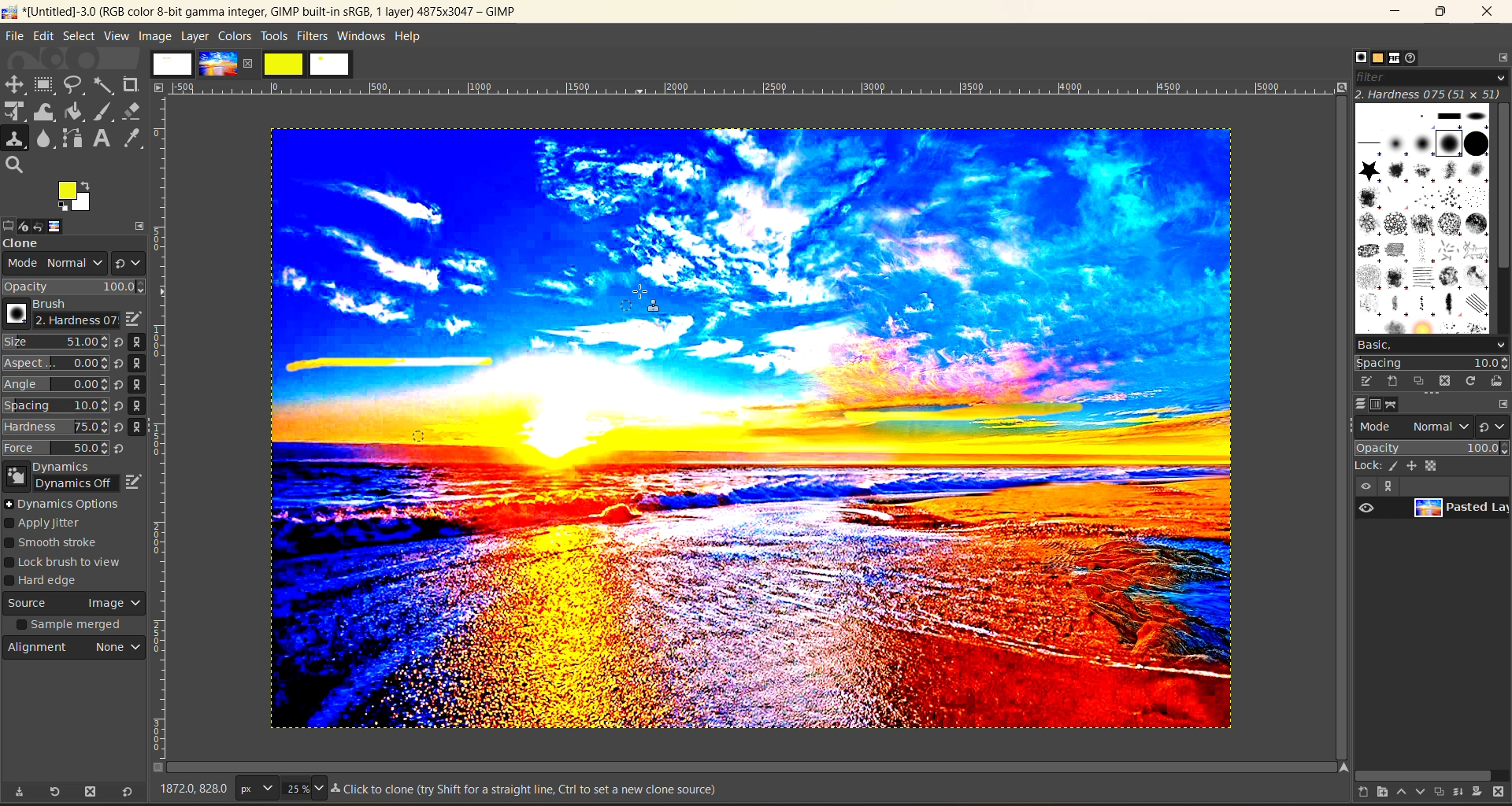 The height and width of the screenshot is (806, 1512). Describe the element at coordinates (1440, 13) in the screenshot. I see `maximize` at that location.